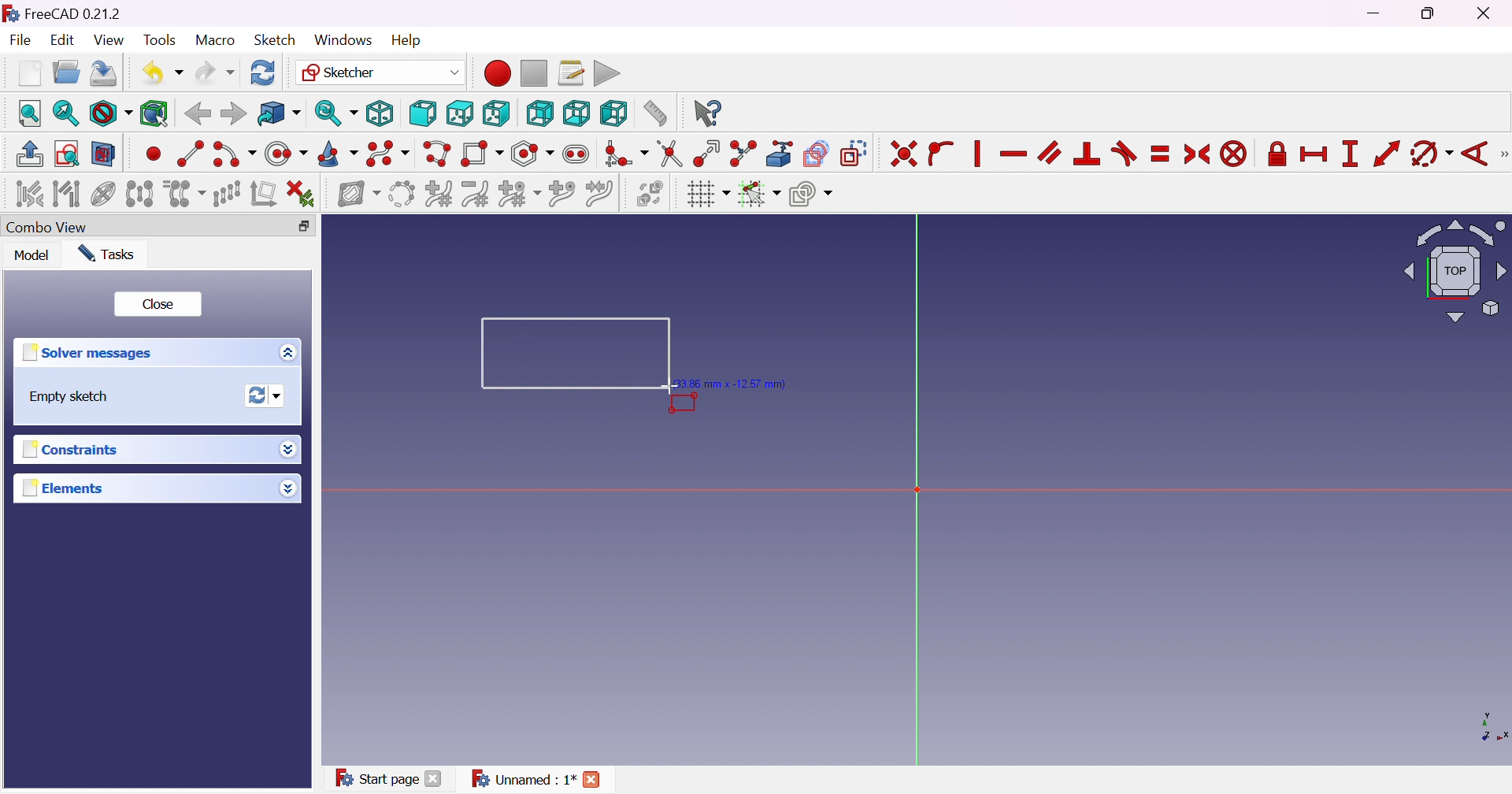 The height and width of the screenshot is (794, 1512). I want to click on Fit all, so click(30, 113).